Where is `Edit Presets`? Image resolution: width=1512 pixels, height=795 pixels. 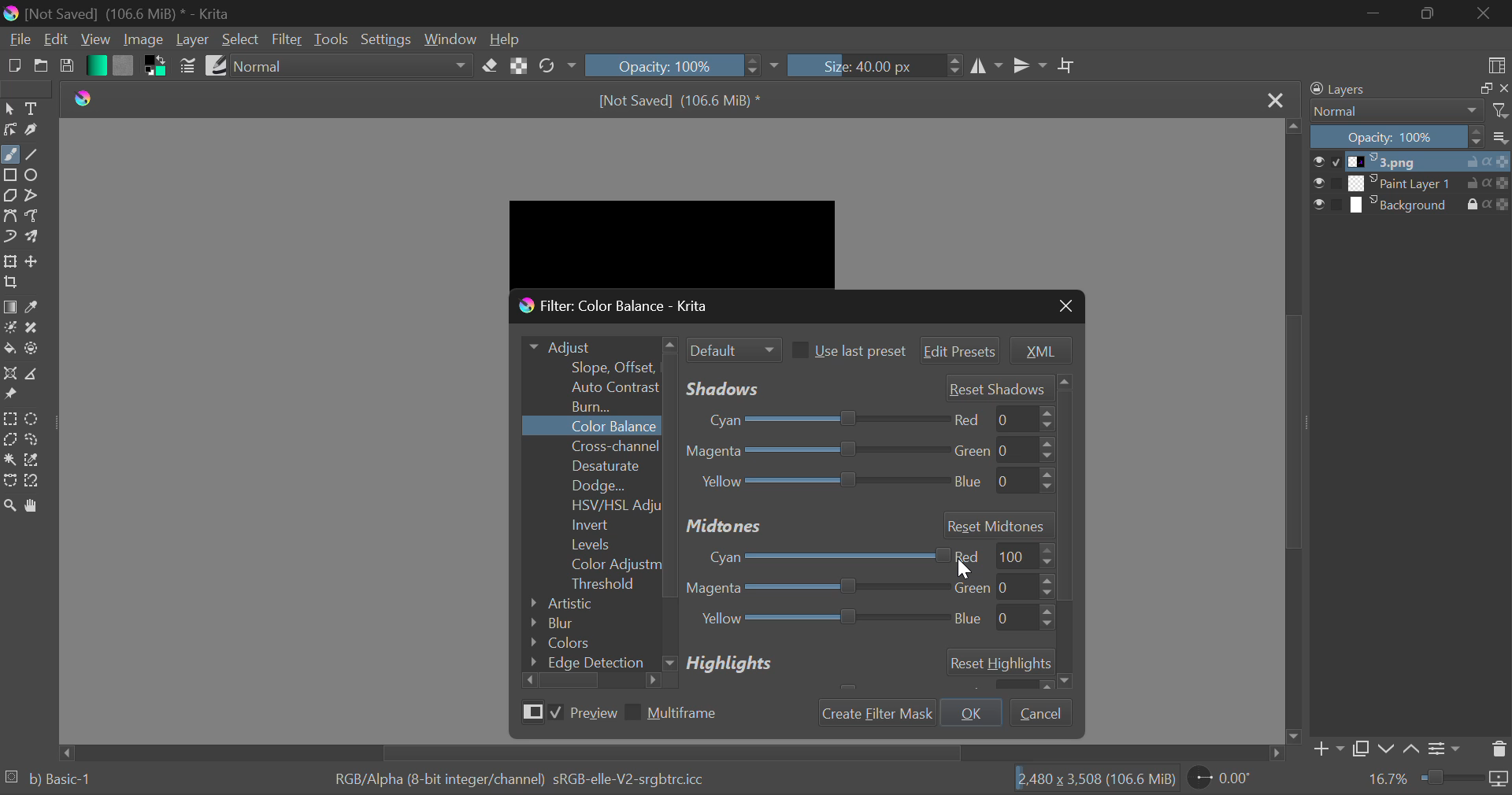 Edit Presets is located at coordinates (962, 352).